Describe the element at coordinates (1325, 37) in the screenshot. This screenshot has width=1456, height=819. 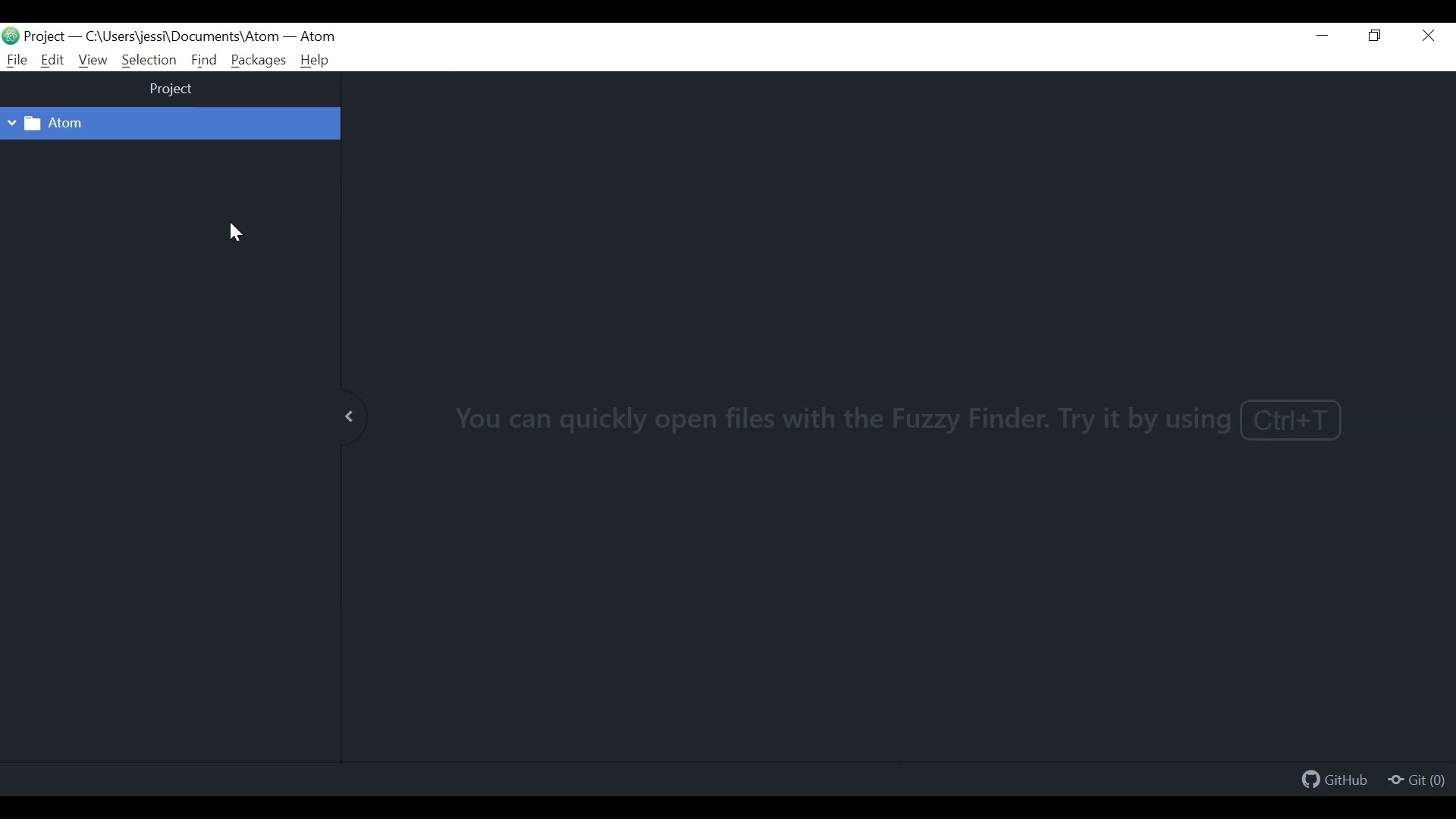
I see `Minimize` at that location.